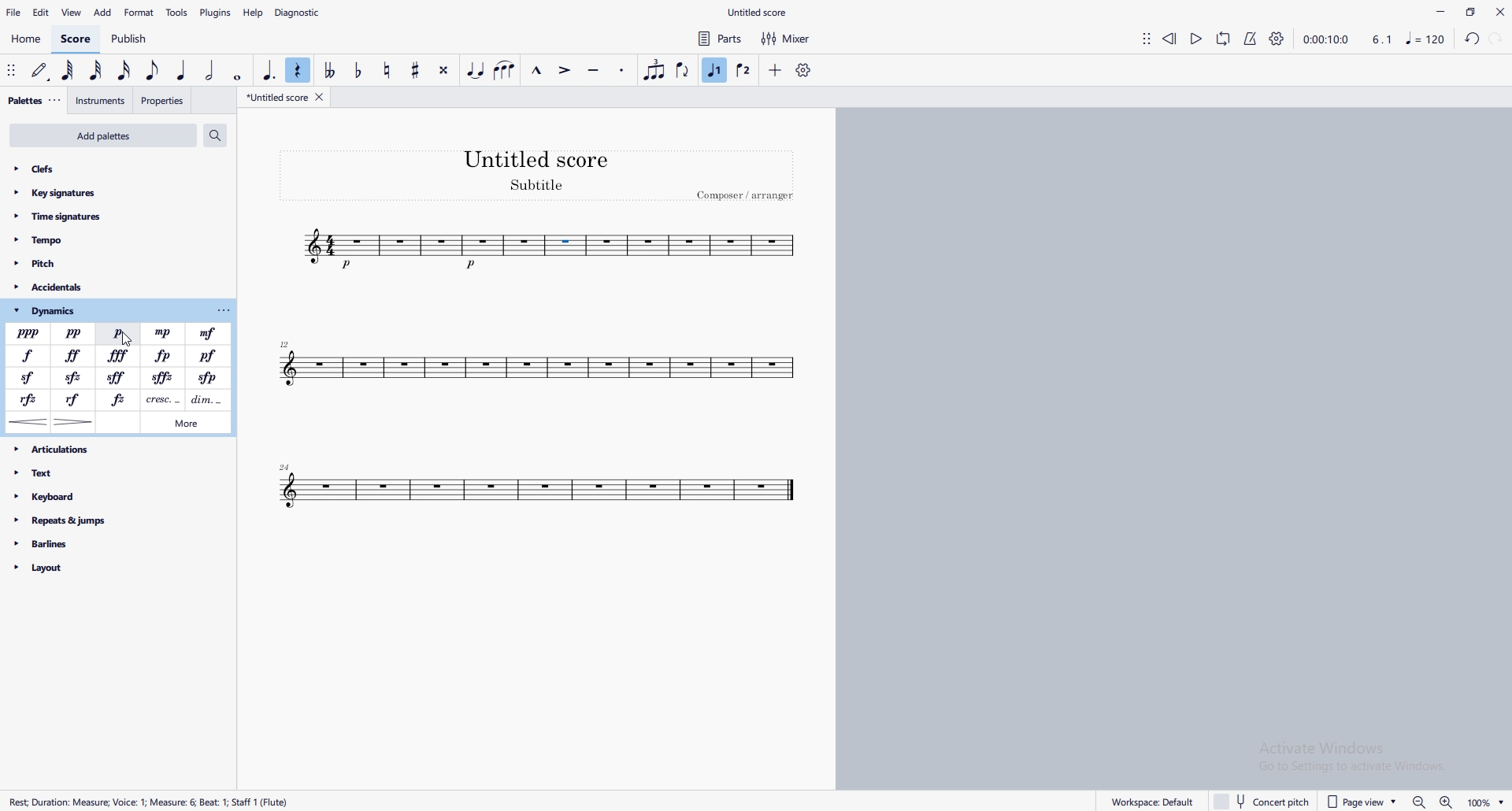 The height and width of the screenshot is (811, 1512). What do you see at coordinates (58, 99) in the screenshot?
I see `adjust` at bounding box center [58, 99].